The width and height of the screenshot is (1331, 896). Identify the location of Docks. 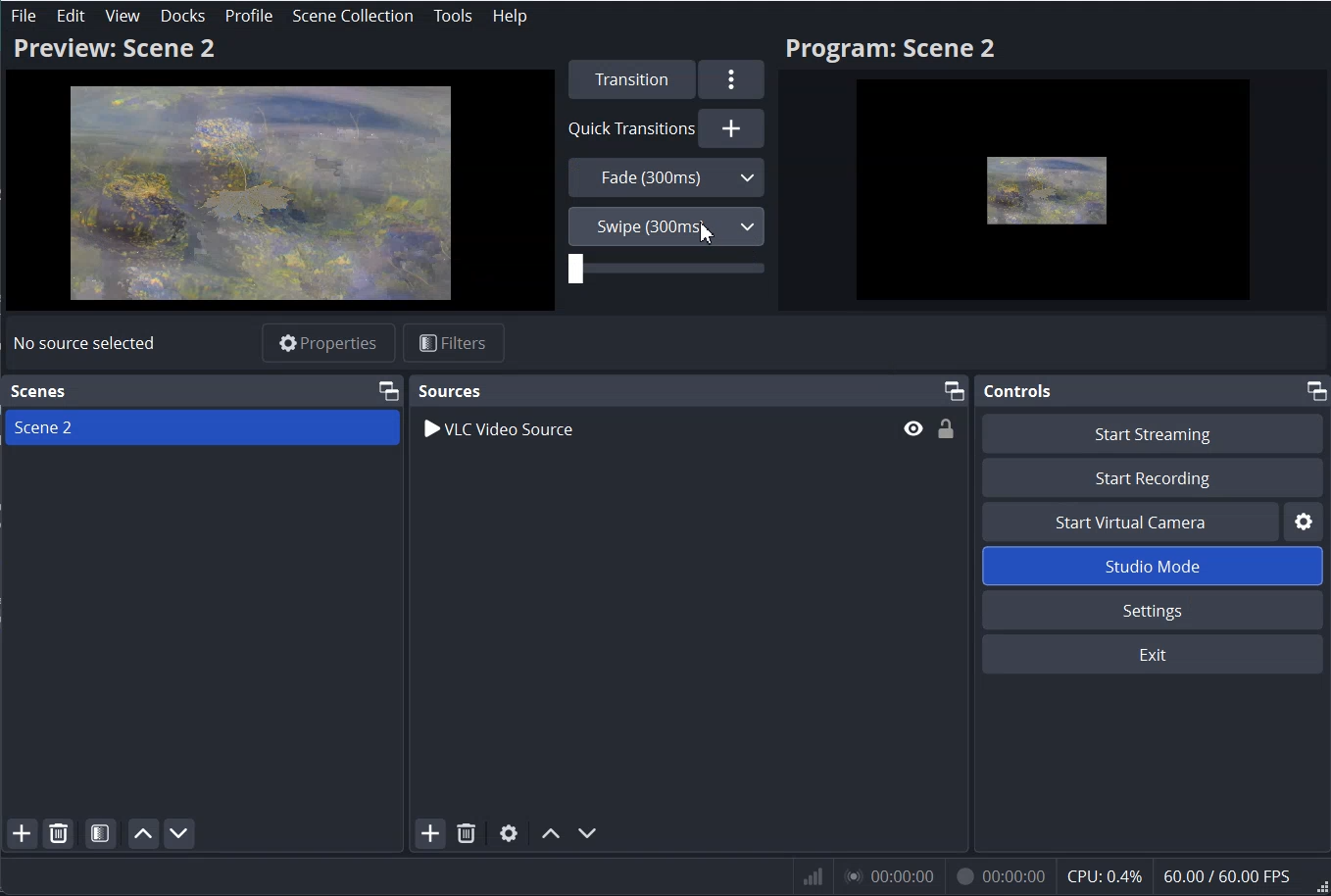
(181, 16).